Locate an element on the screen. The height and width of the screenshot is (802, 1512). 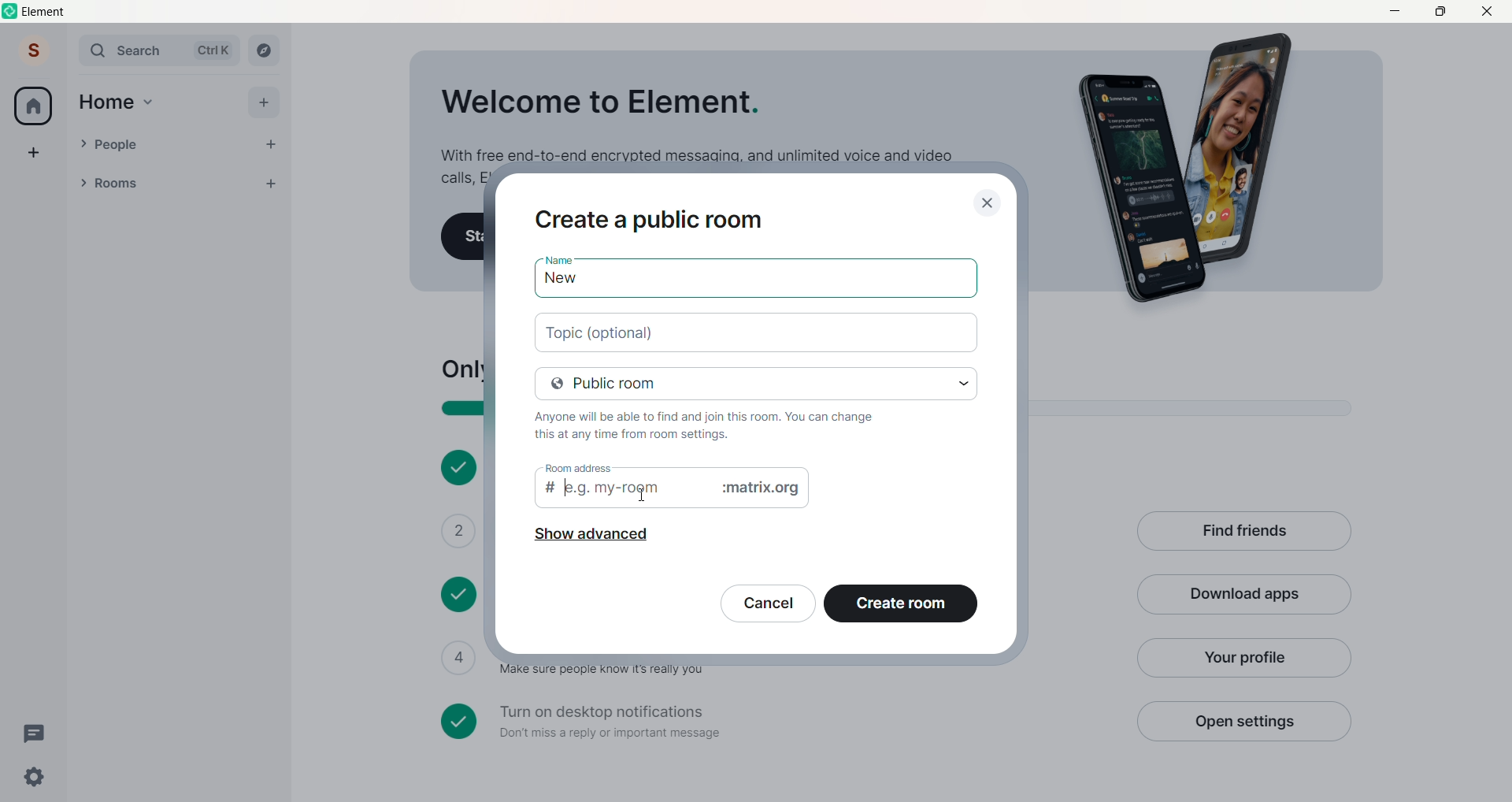
Add People is located at coordinates (271, 145).